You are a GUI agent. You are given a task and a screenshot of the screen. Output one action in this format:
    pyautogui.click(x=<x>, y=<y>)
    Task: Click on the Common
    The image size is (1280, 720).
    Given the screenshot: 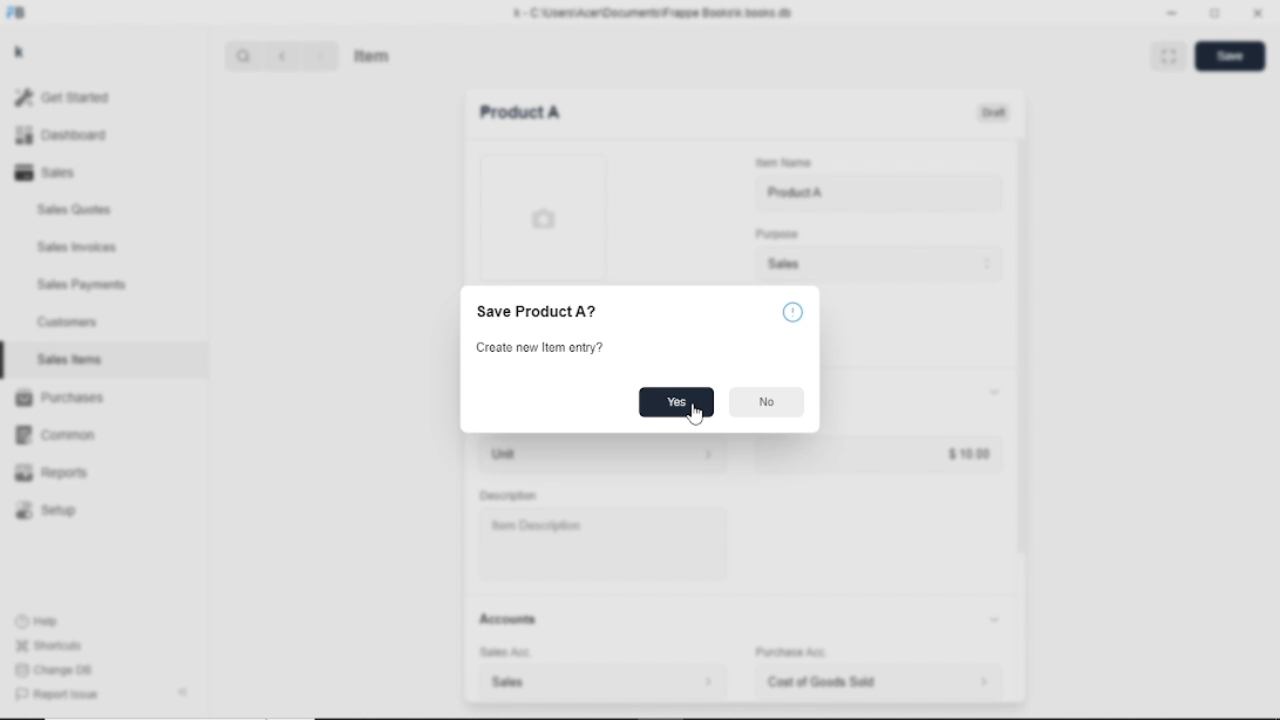 What is the action you would take?
    pyautogui.click(x=55, y=436)
    